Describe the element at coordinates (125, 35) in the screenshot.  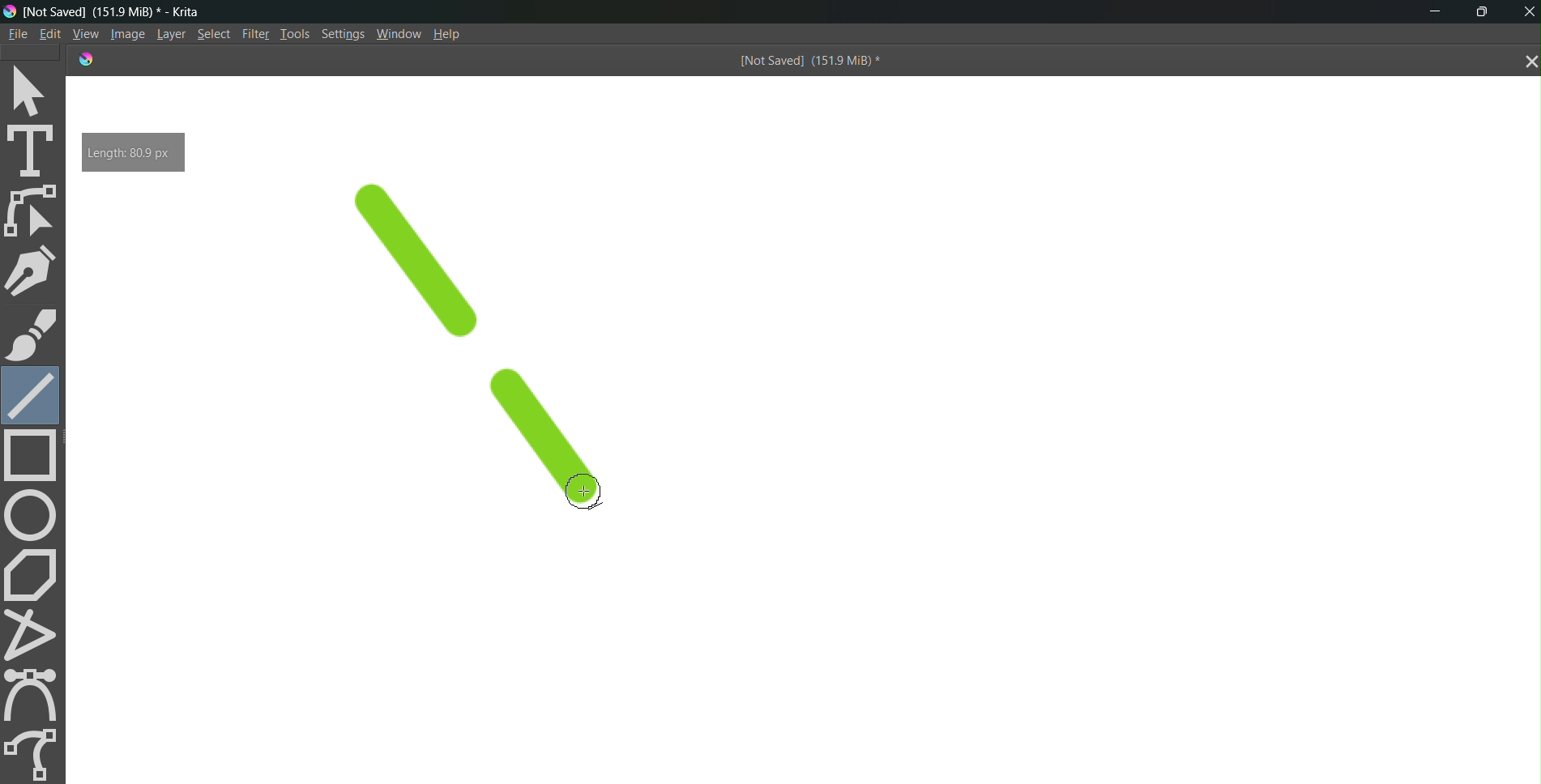
I see `Image` at that location.